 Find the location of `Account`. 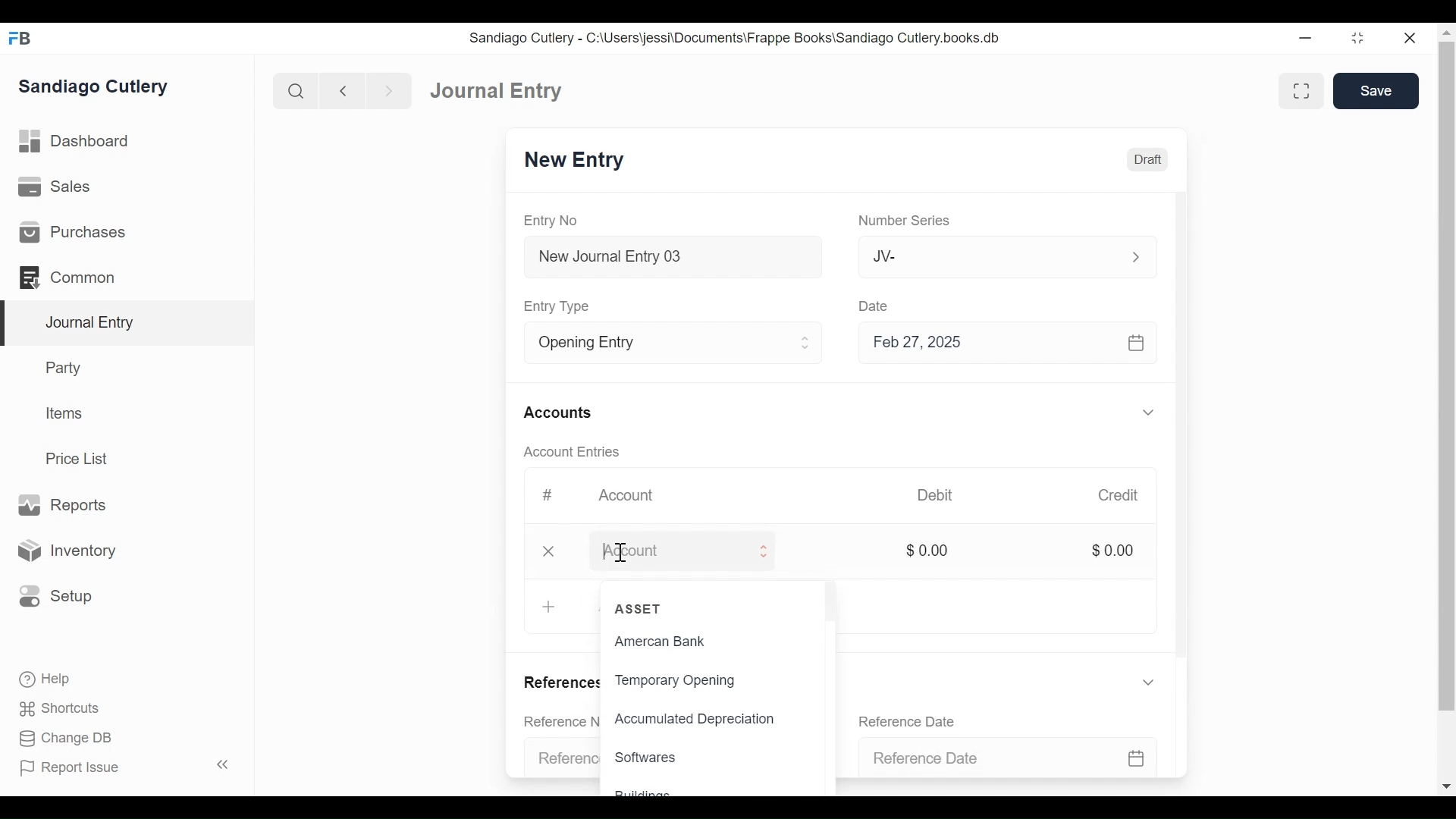

Account is located at coordinates (632, 496).